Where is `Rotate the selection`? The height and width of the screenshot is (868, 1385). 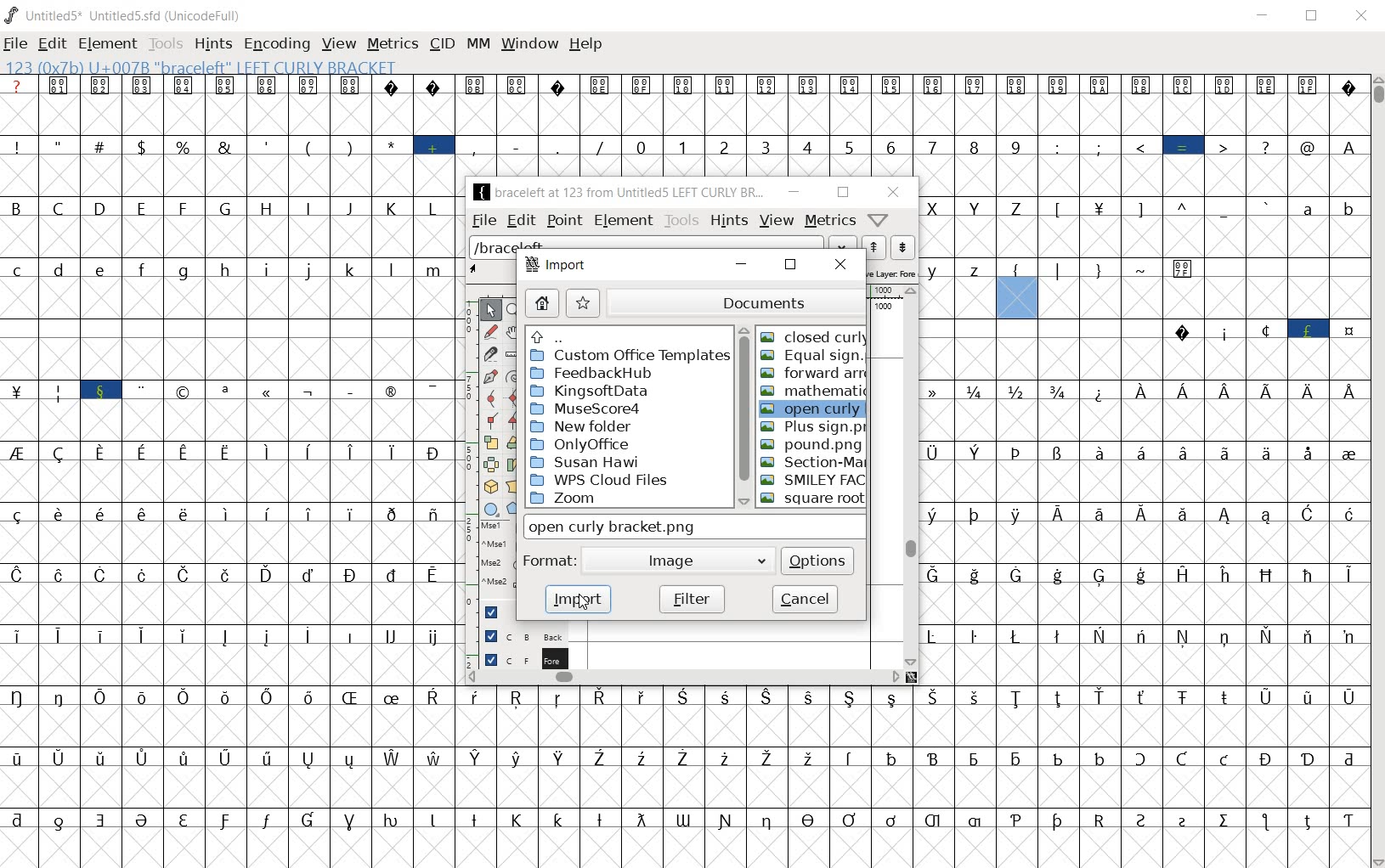 Rotate the selection is located at coordinates (514, 465).